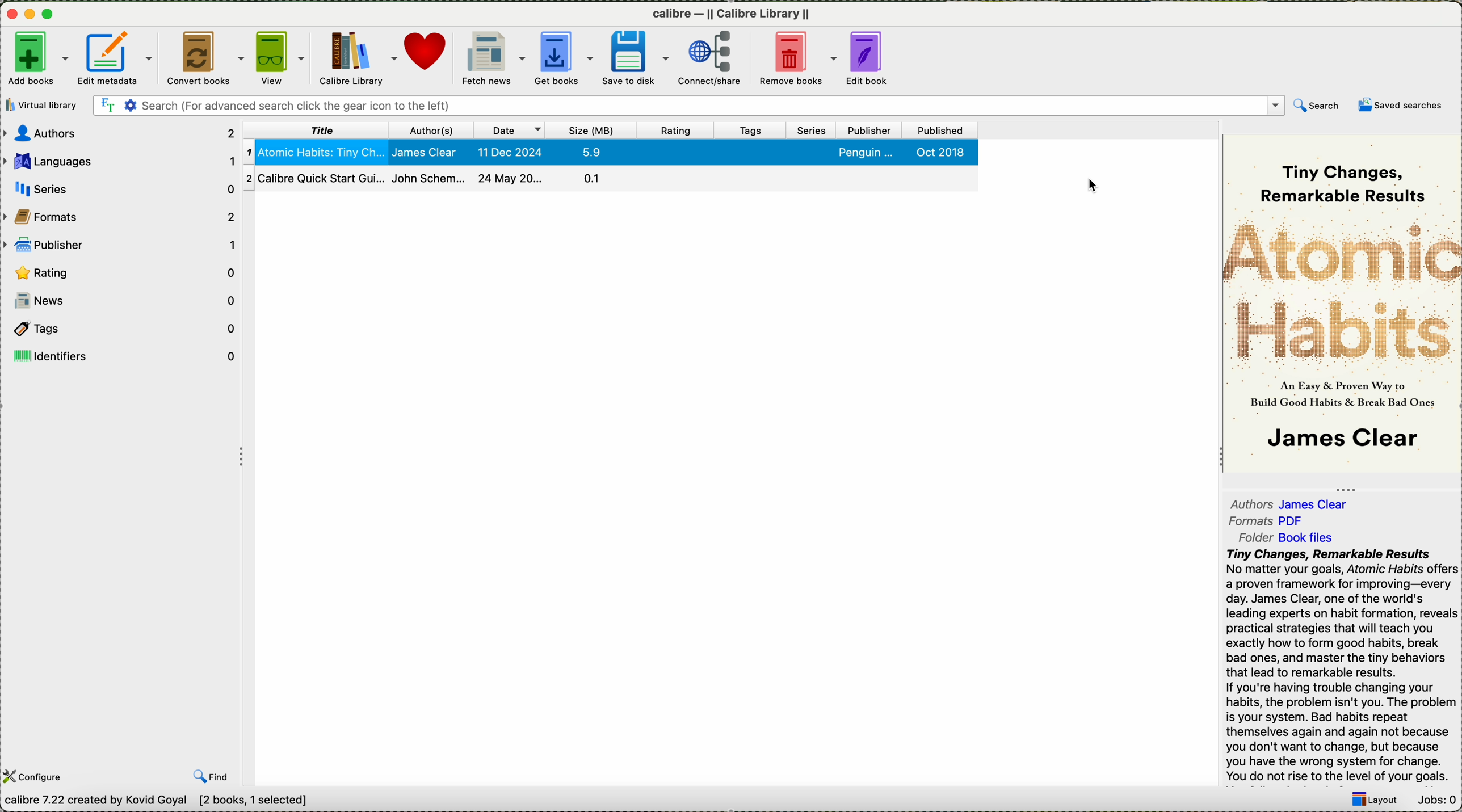 This screenshot has width=1462, height=812. What do you see at coordinates (211, 776) in the screenshot?
I see `find` at bounding box center [211, 776].